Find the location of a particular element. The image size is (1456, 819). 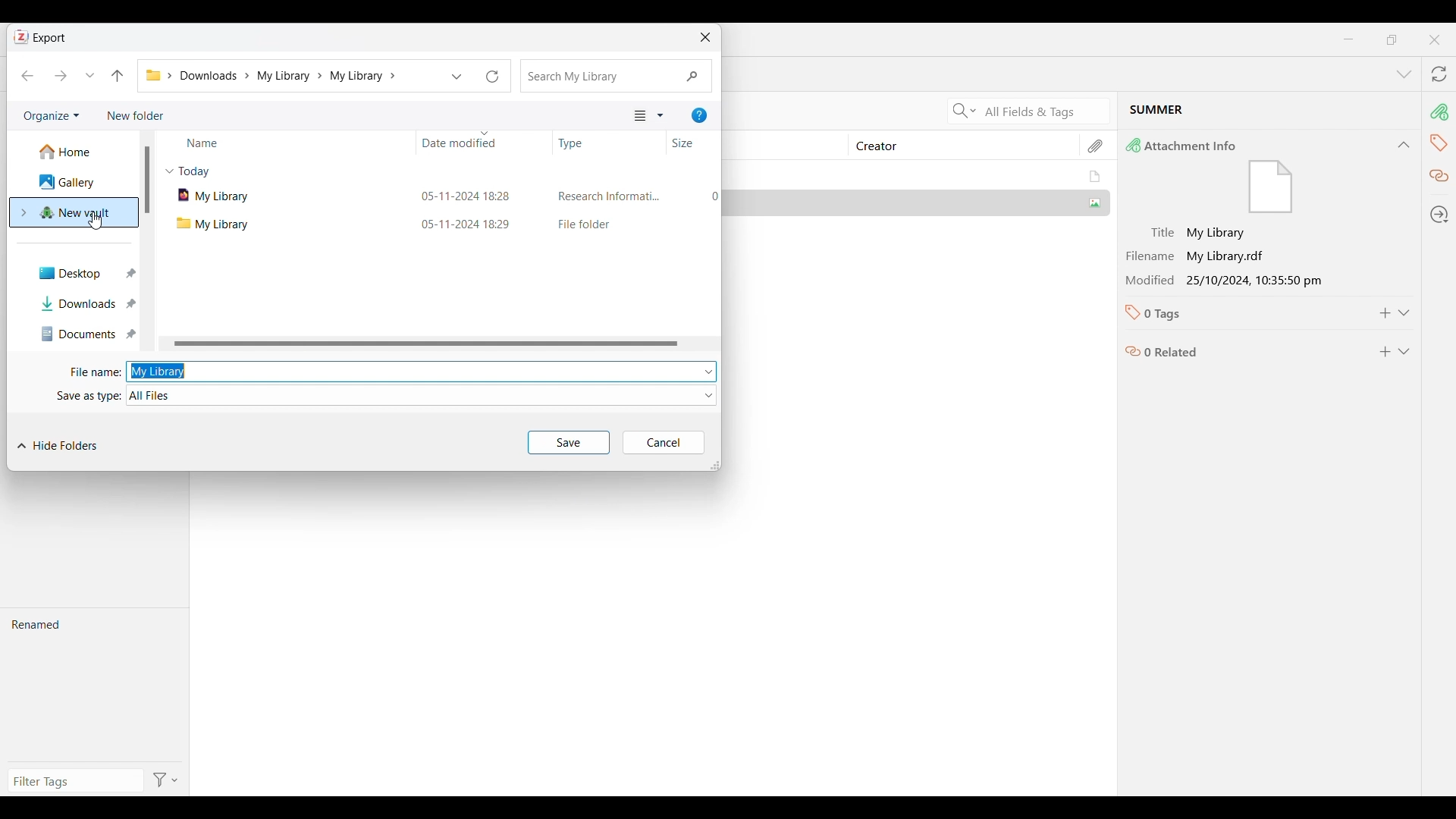

Add is located at coordinates (1385, 352).